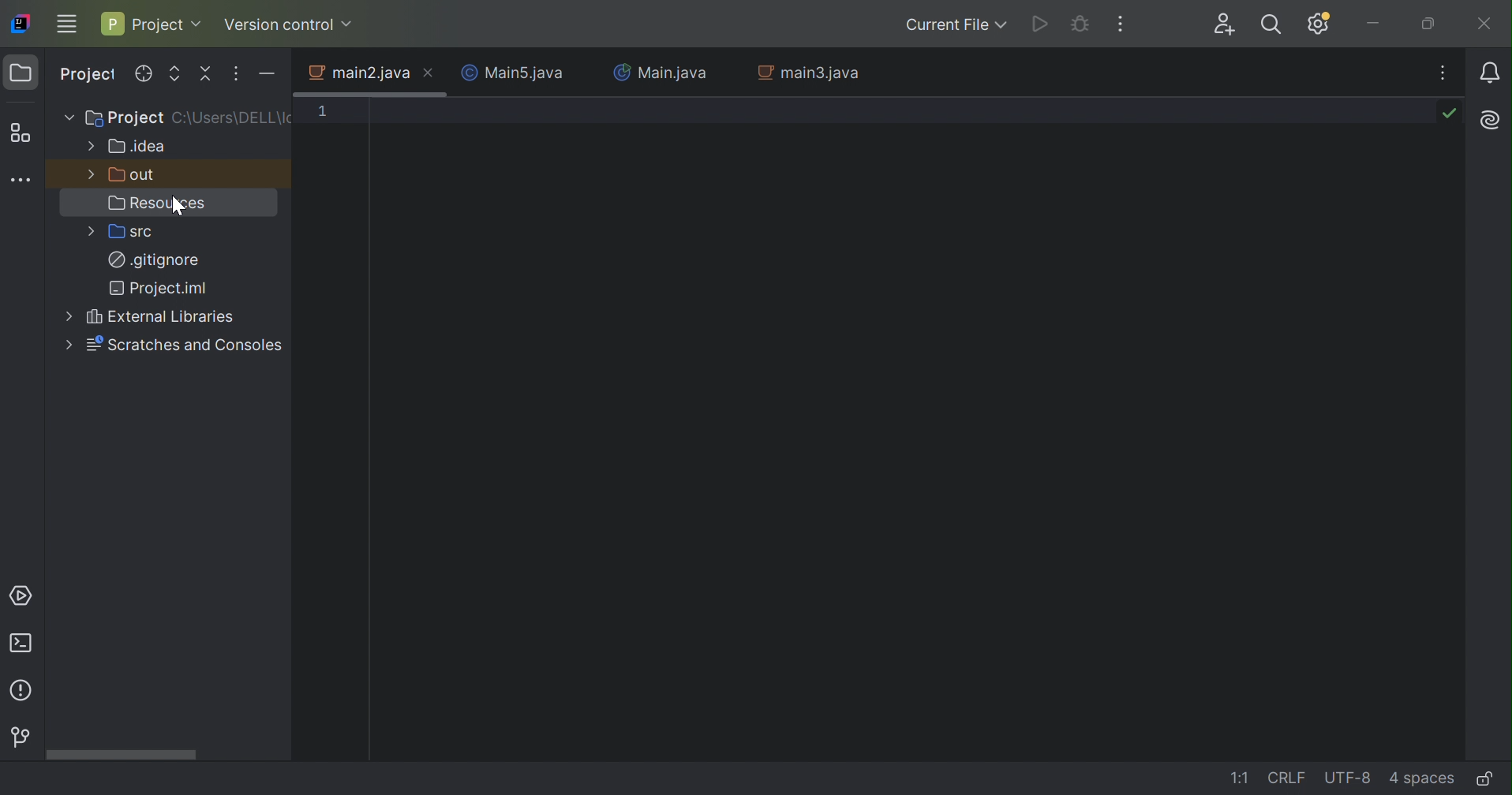 This screenshot has width=1512, height=795. What do you see at coordinates (1446, 73) in the screenshot?
I see `Recent files, tab actions, and more` at bounding box center [1446, 73].